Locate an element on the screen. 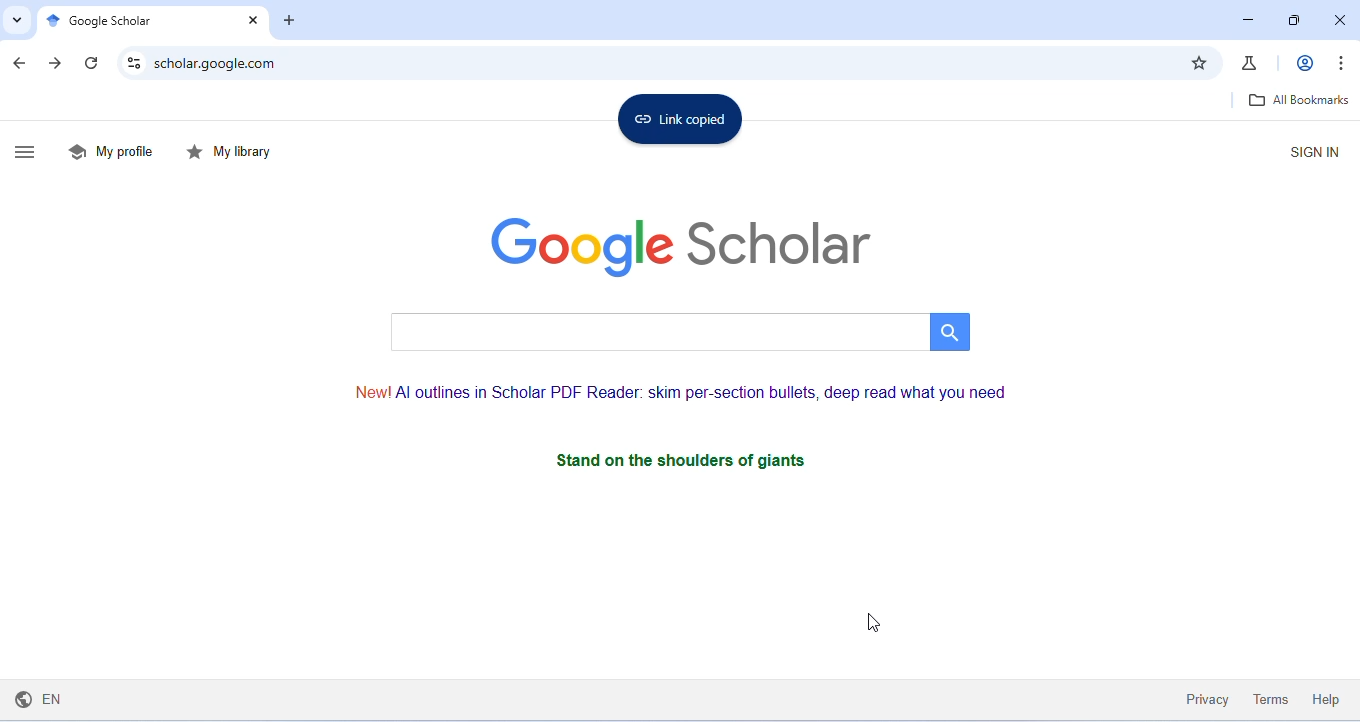 The width and height of the screenshot is (1360, 722). add bookmark is located at coordinates (1200, 62).